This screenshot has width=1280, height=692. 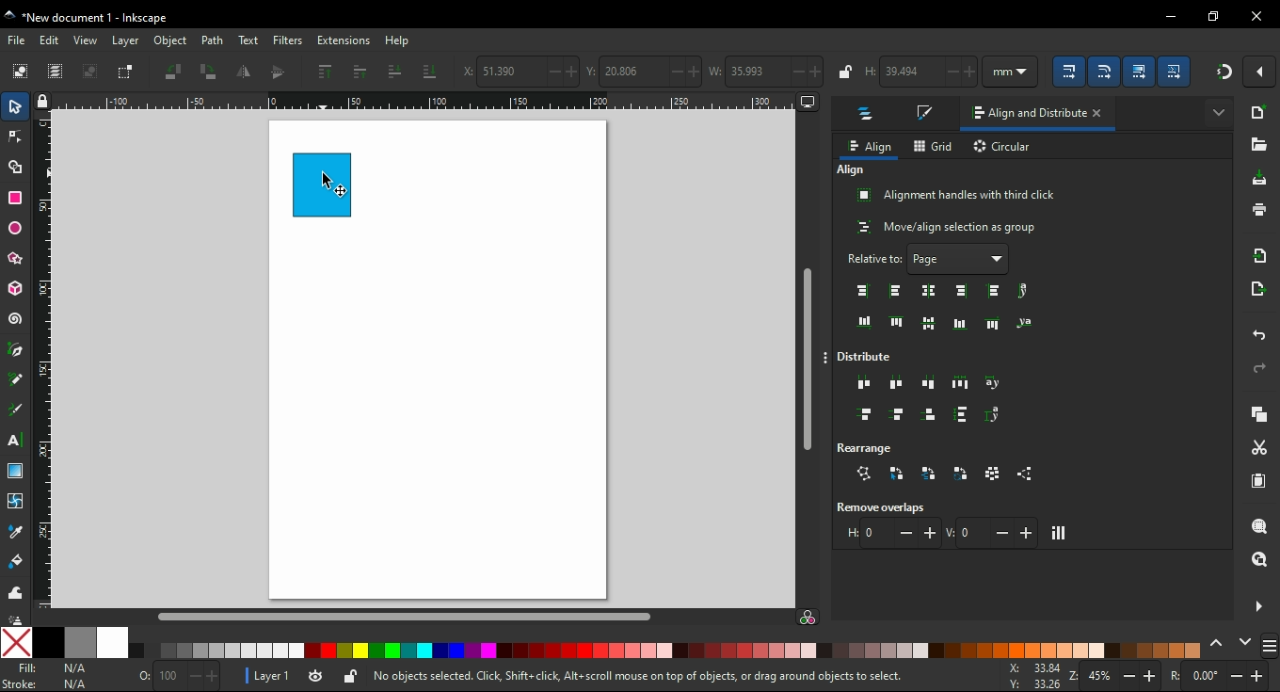 What do you see at coordinates (92, 18) in the screenshot?
I see `icon and file name` at bounding box center [92, 18].